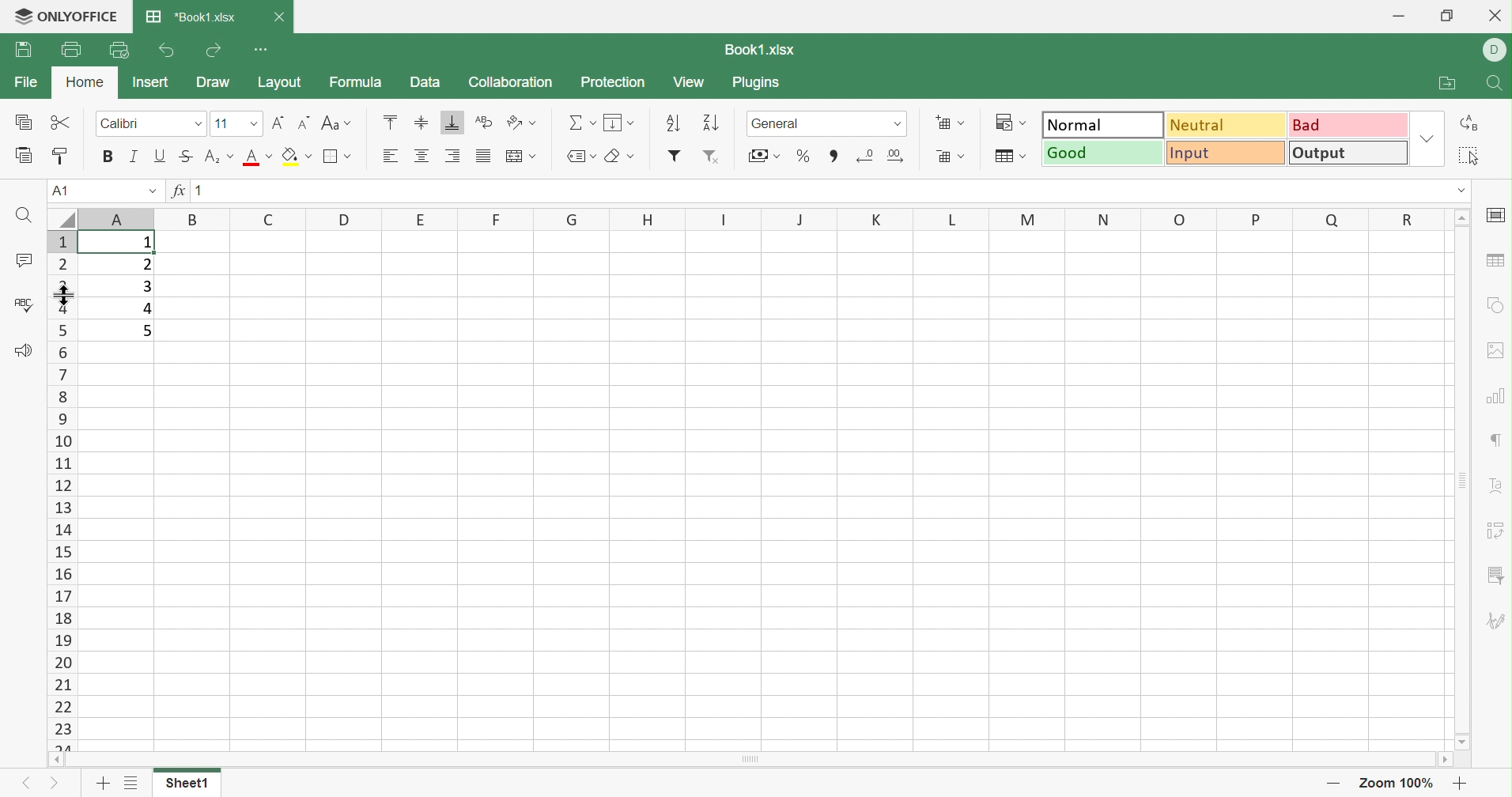 The height and width of the screenshot is (797, 1512). Describe the element at coordinates (672, 121) in the screenshot. I see `Ascending order` at that location.